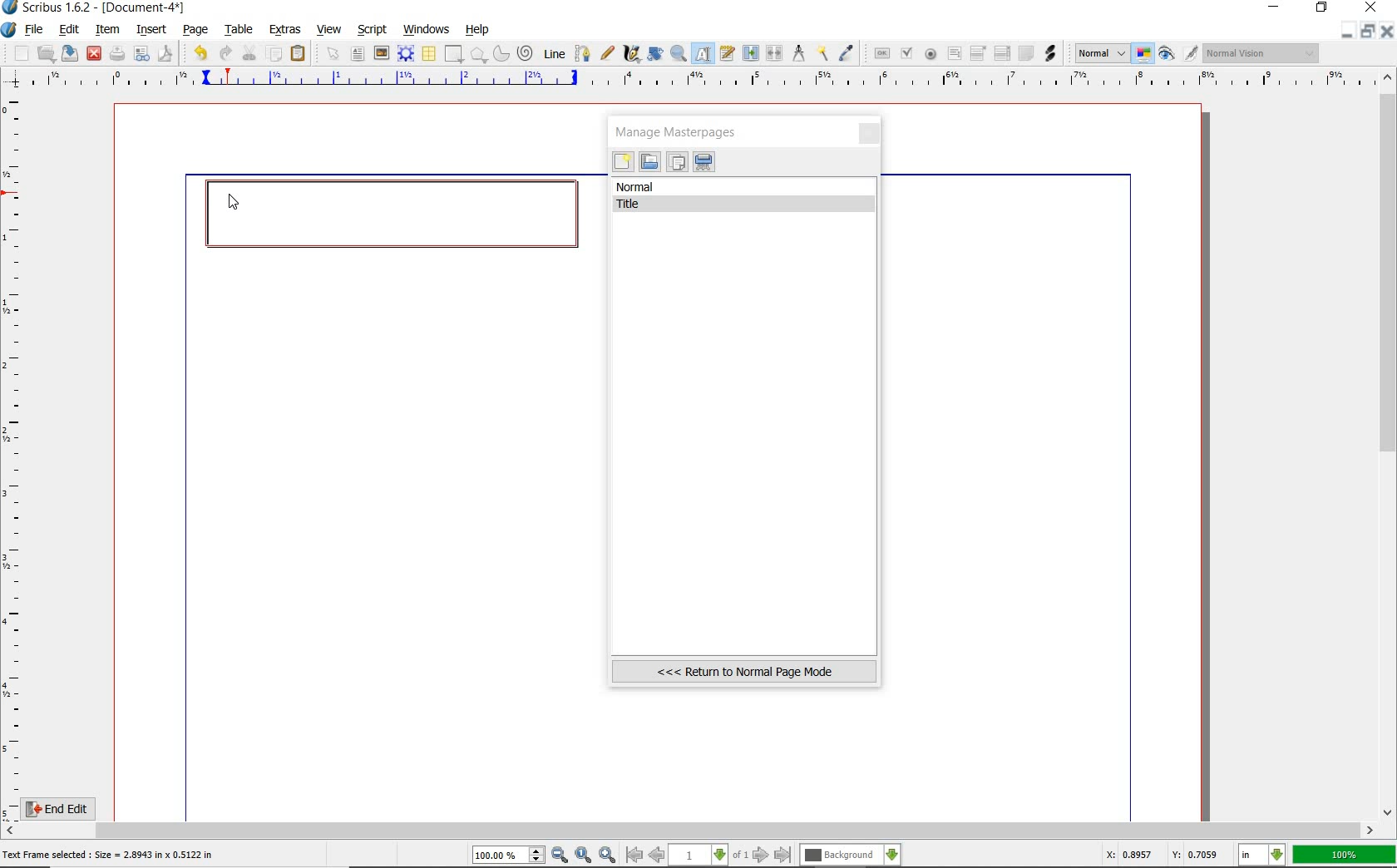 This screenshot has width=1397, height=868. I want to click on item, so click(108, 31).